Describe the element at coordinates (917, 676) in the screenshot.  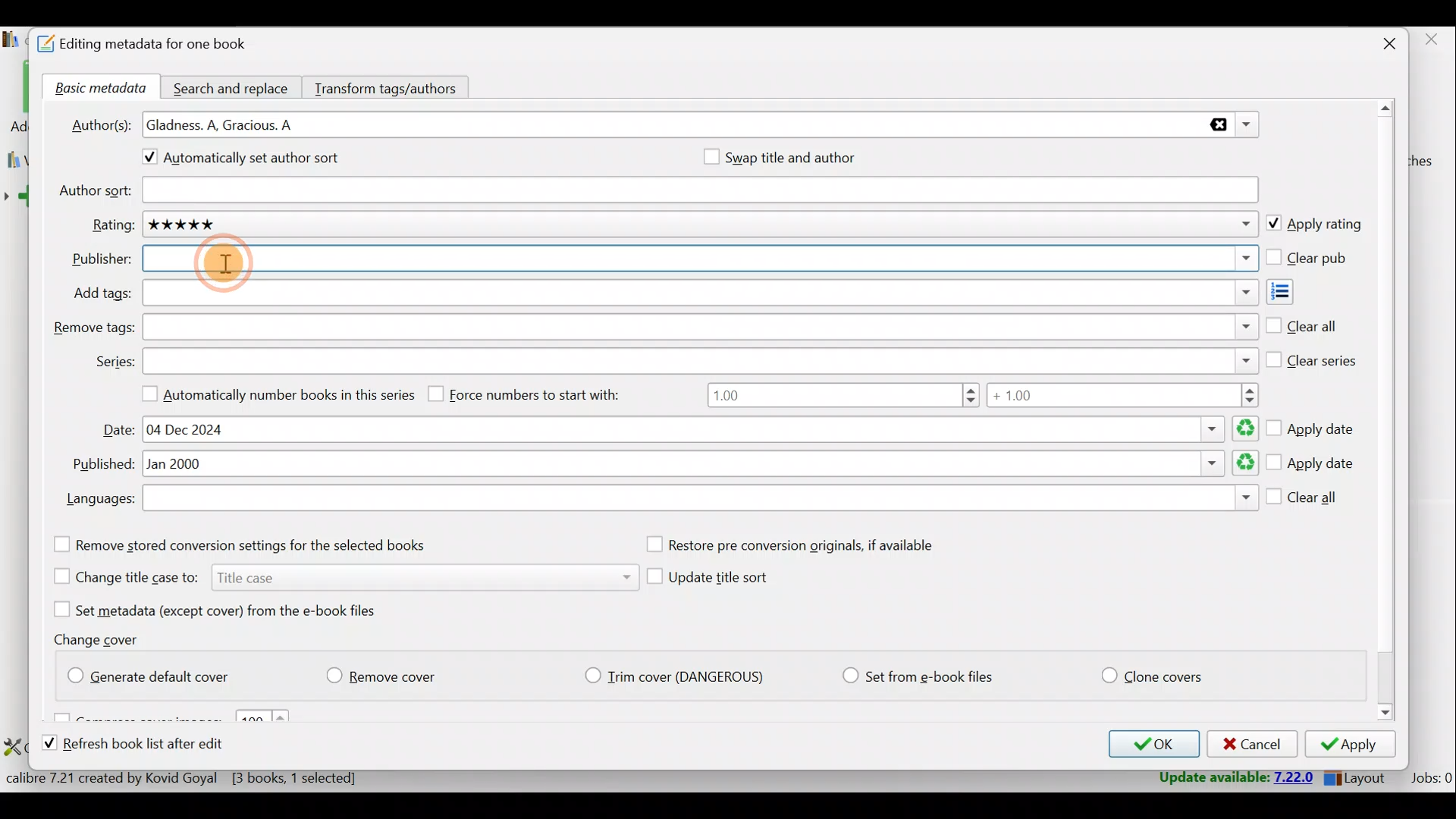
I see `Set from e-book files` at that location.